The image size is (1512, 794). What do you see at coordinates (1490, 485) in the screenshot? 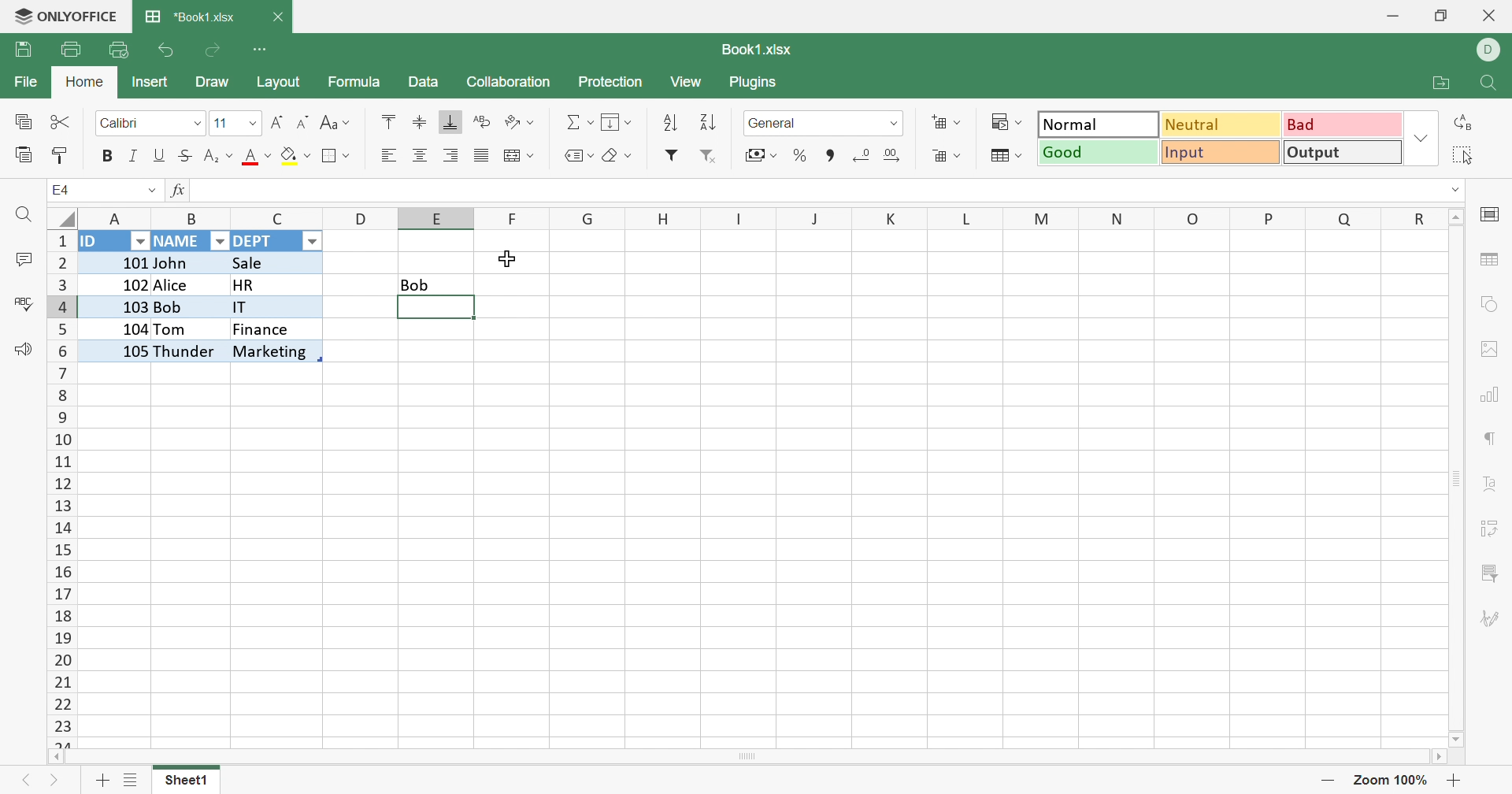
I see `Text Art settings` at bounding box center [1490, 485].